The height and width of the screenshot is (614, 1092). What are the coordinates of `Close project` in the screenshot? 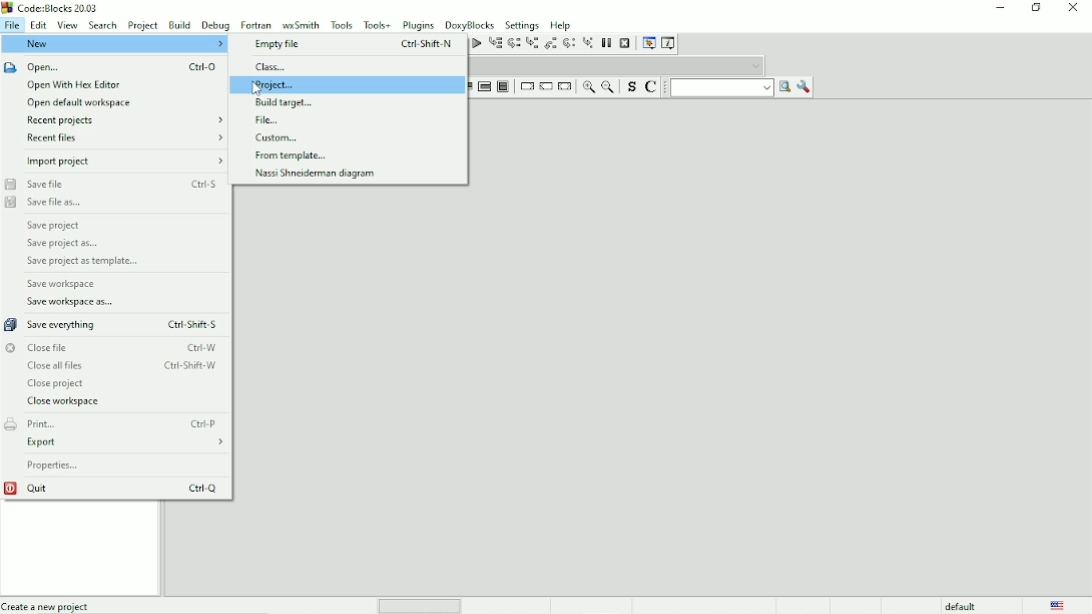 It's located at (57, 384).